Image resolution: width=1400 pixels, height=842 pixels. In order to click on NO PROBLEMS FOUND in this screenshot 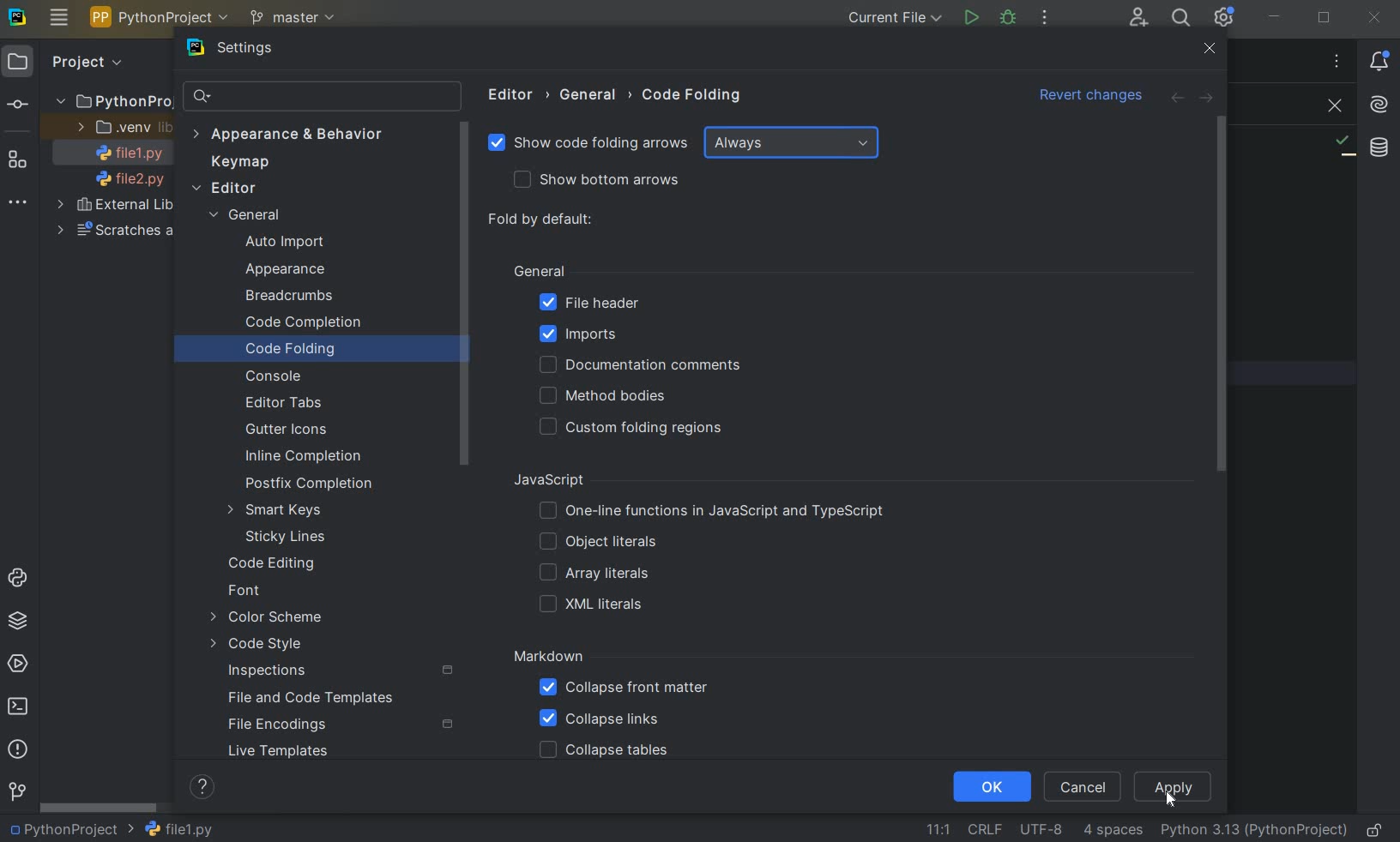, I will do `click(1343, 146)`.